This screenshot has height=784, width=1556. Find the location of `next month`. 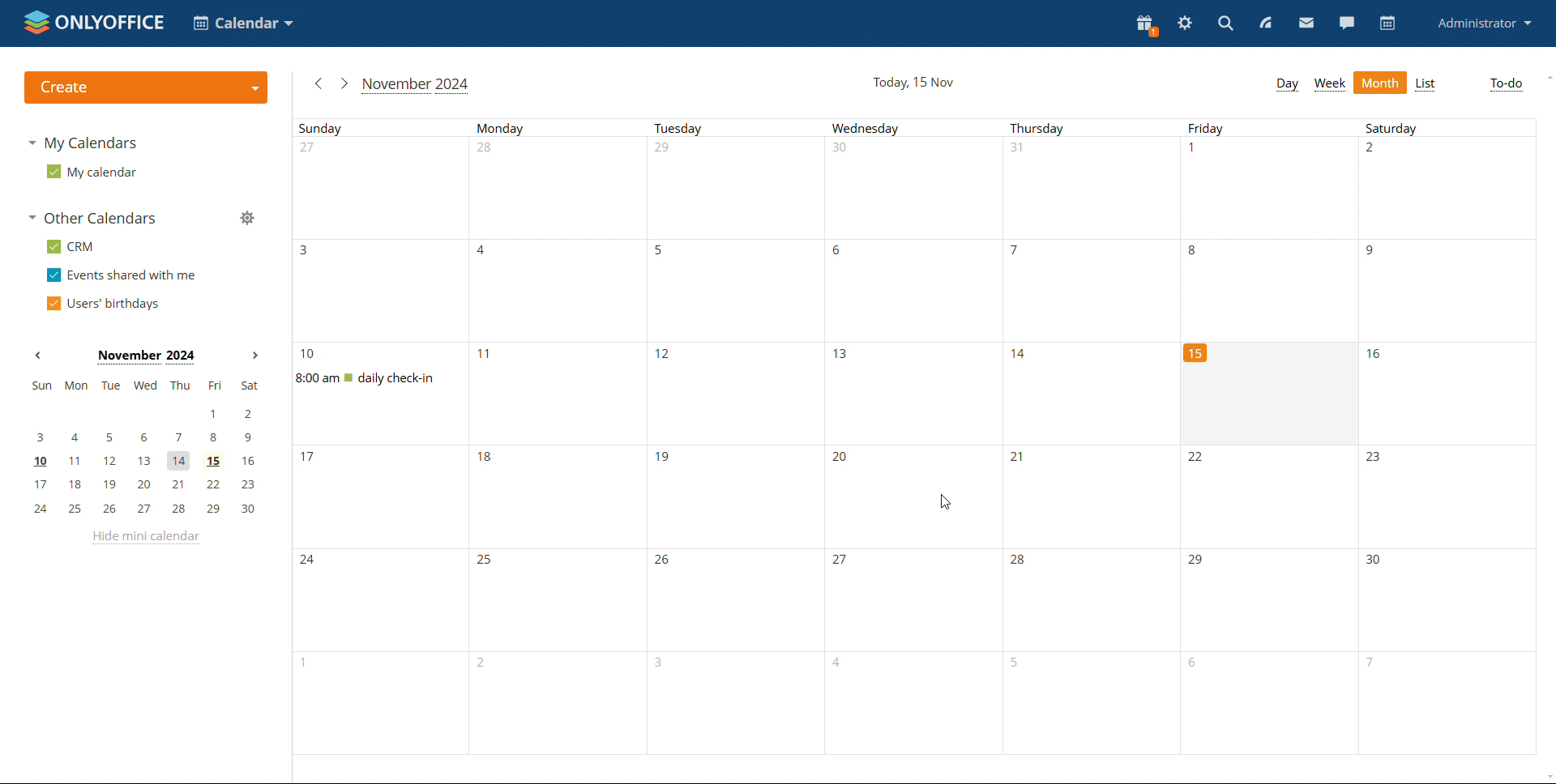

next month is located at coordinates (253, 355).